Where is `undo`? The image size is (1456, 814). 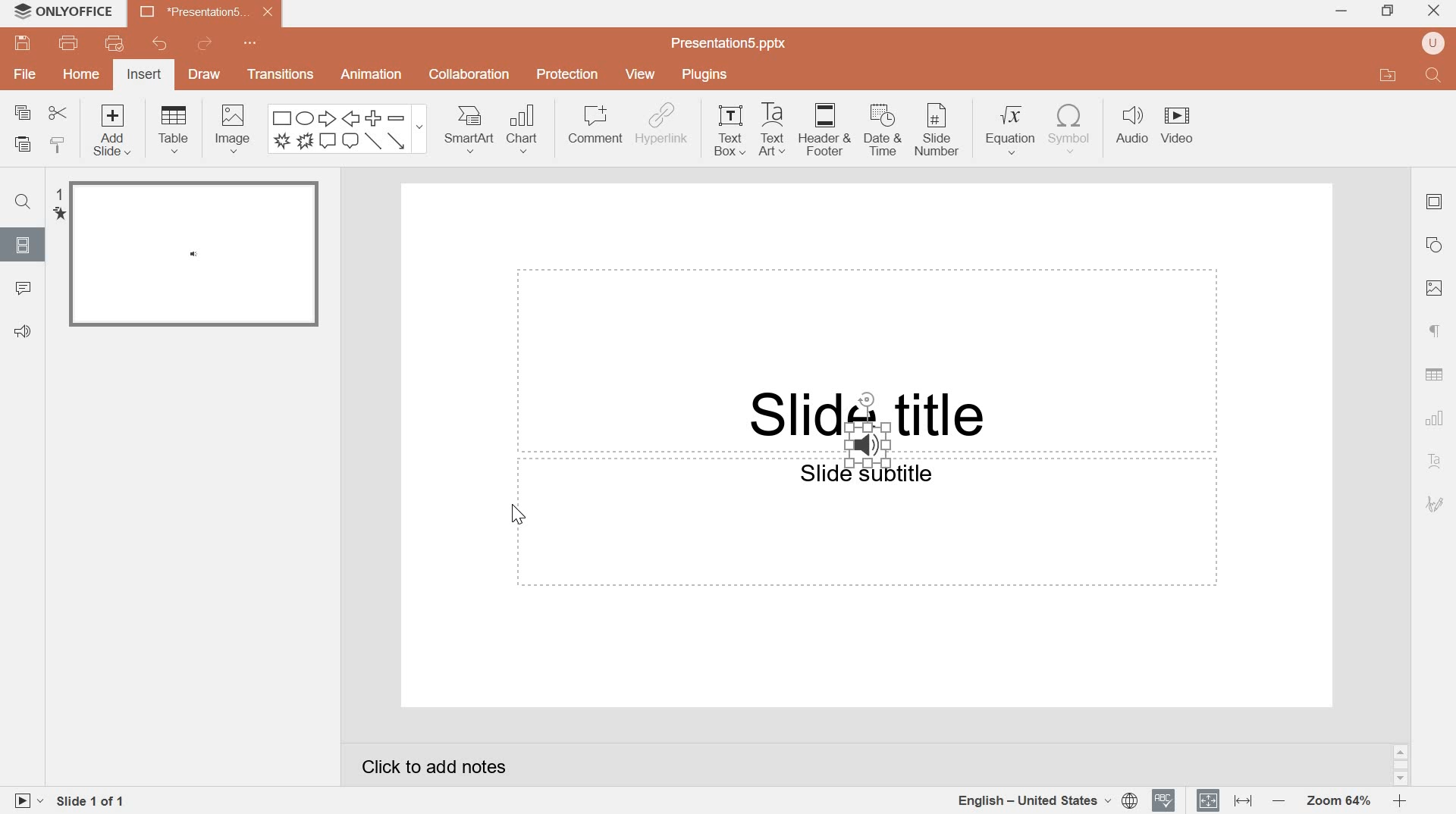 undo is located at coordinates (158, 42).